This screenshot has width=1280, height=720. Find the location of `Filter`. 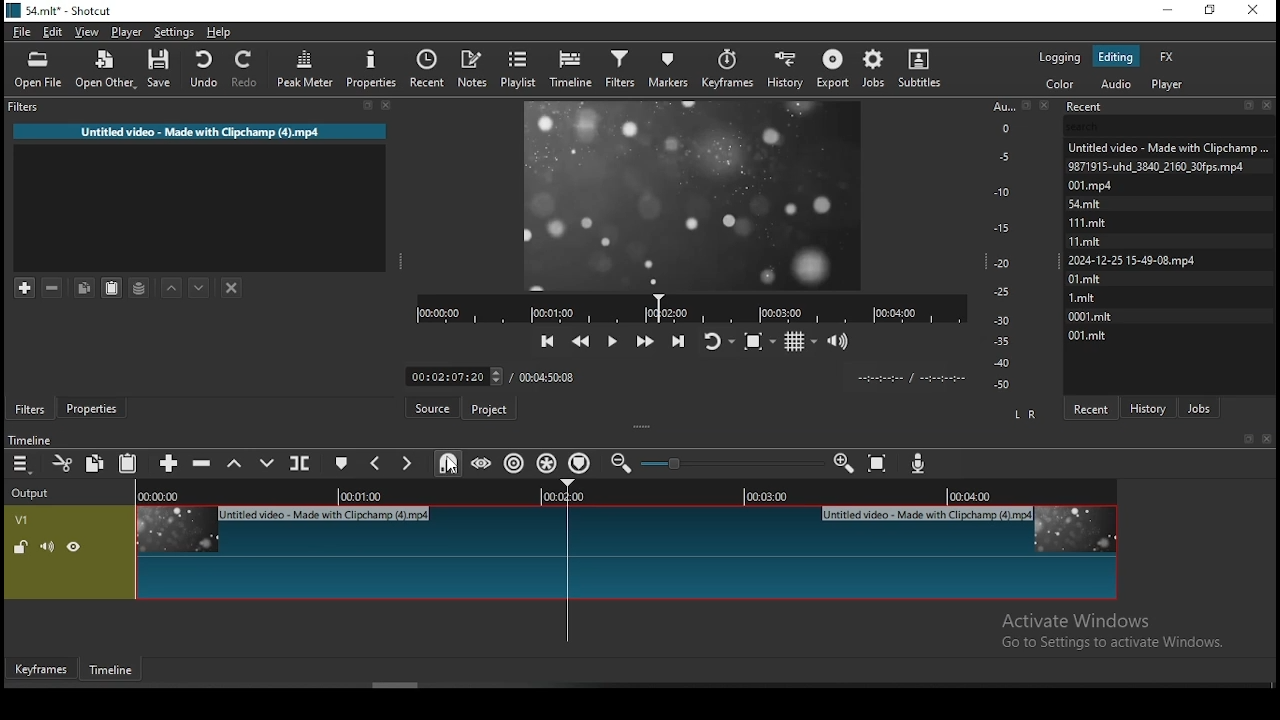

Filter is located at coordinates (199, 108).